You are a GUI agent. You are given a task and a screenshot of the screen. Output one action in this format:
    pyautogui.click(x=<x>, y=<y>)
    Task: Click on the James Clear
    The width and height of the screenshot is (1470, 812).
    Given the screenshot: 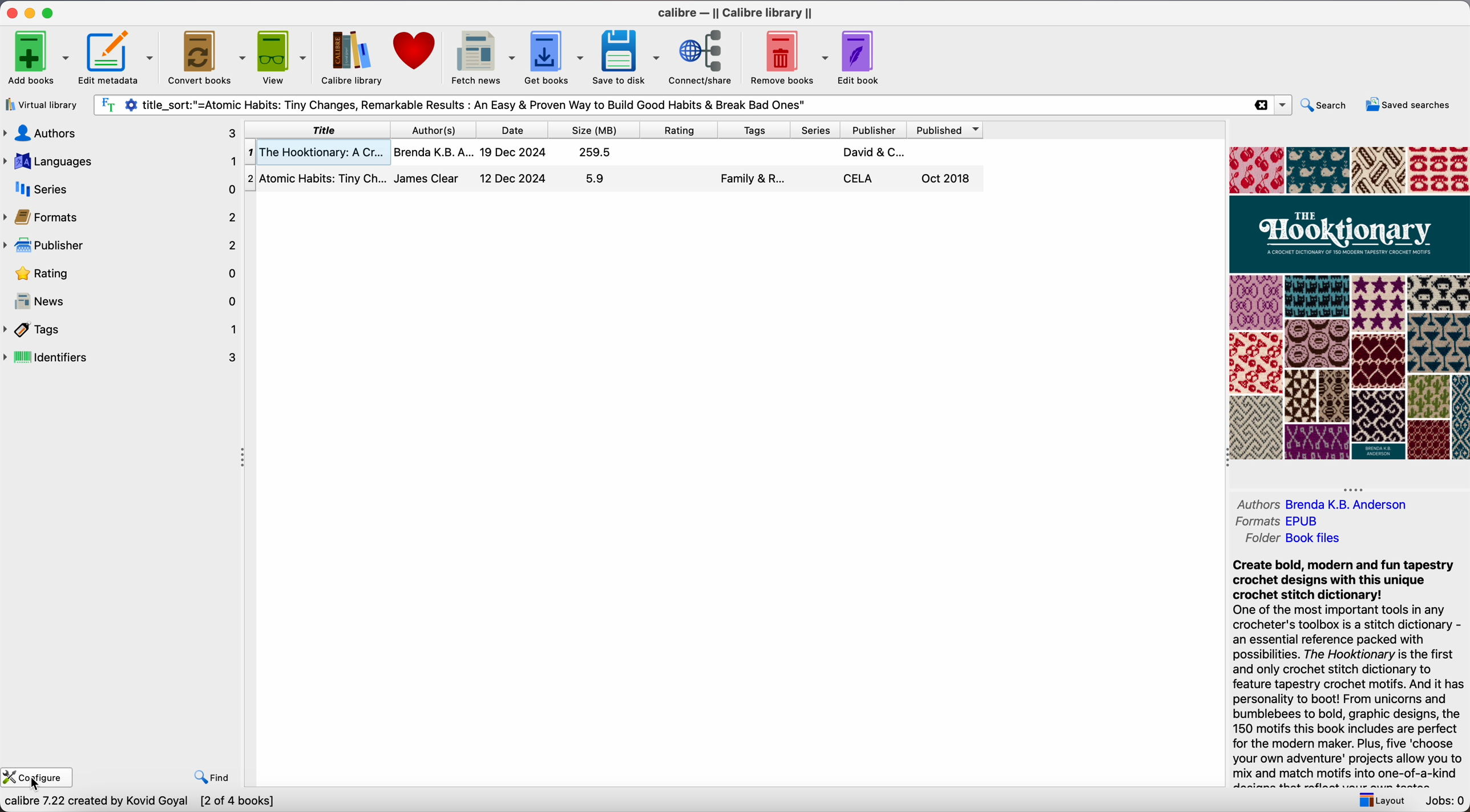 What is the action you would take?
    pyautogui.click(x=425, y=177)
    